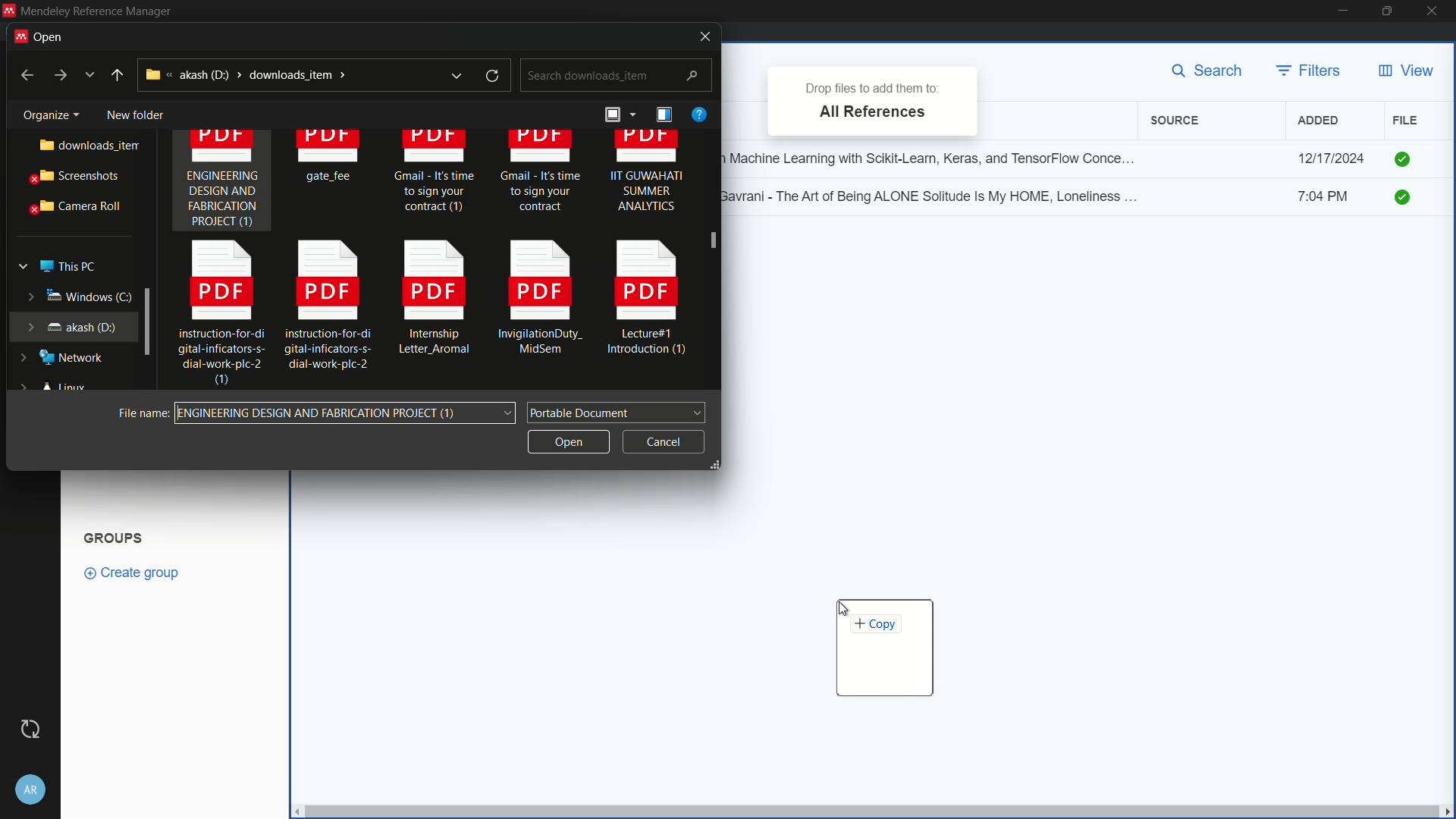  What do you see at coordinates (91, 75) in the screenshot?
I see `more options` at bounding box center [91, 75].